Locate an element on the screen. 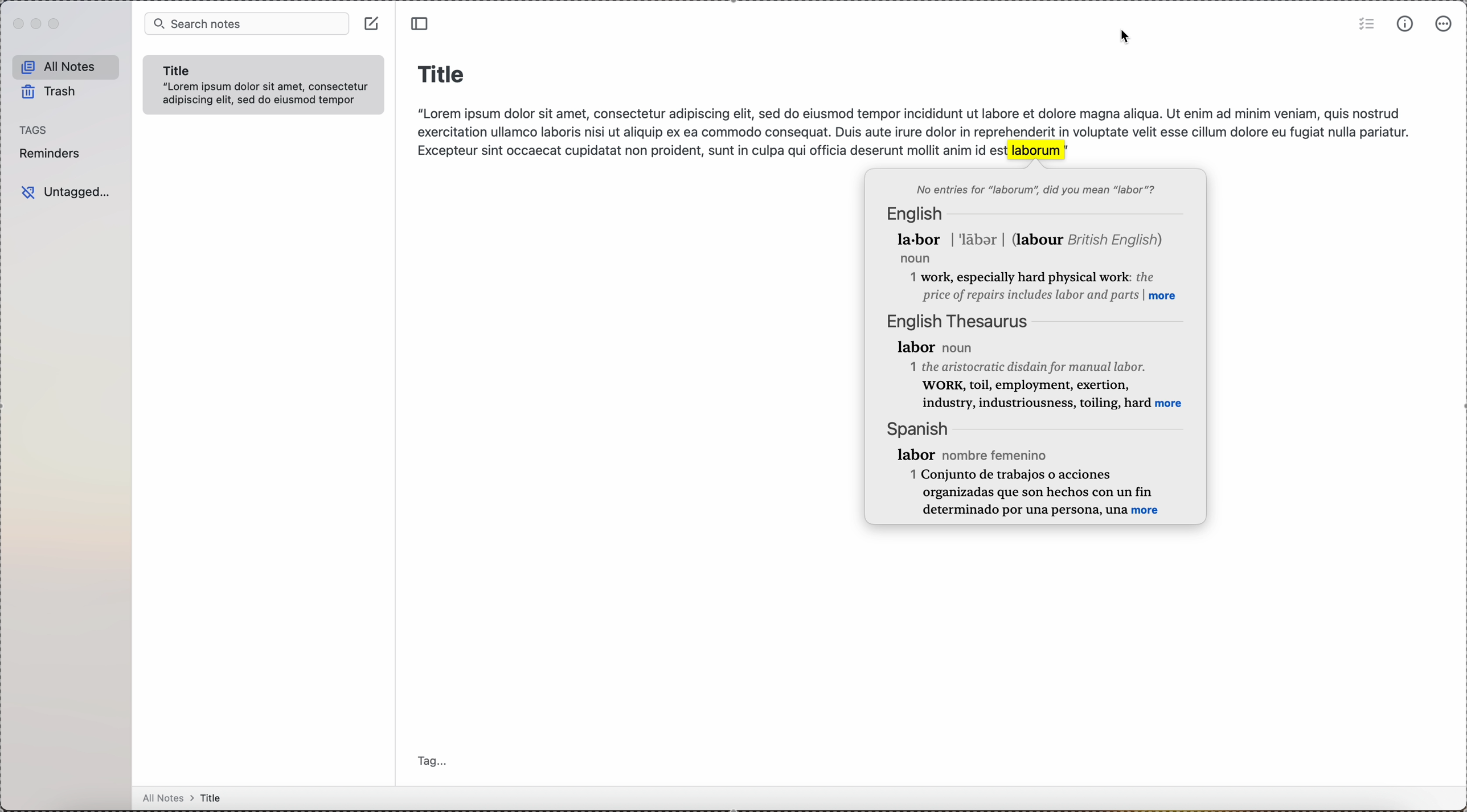  body text is located at coordinates (909, 128).